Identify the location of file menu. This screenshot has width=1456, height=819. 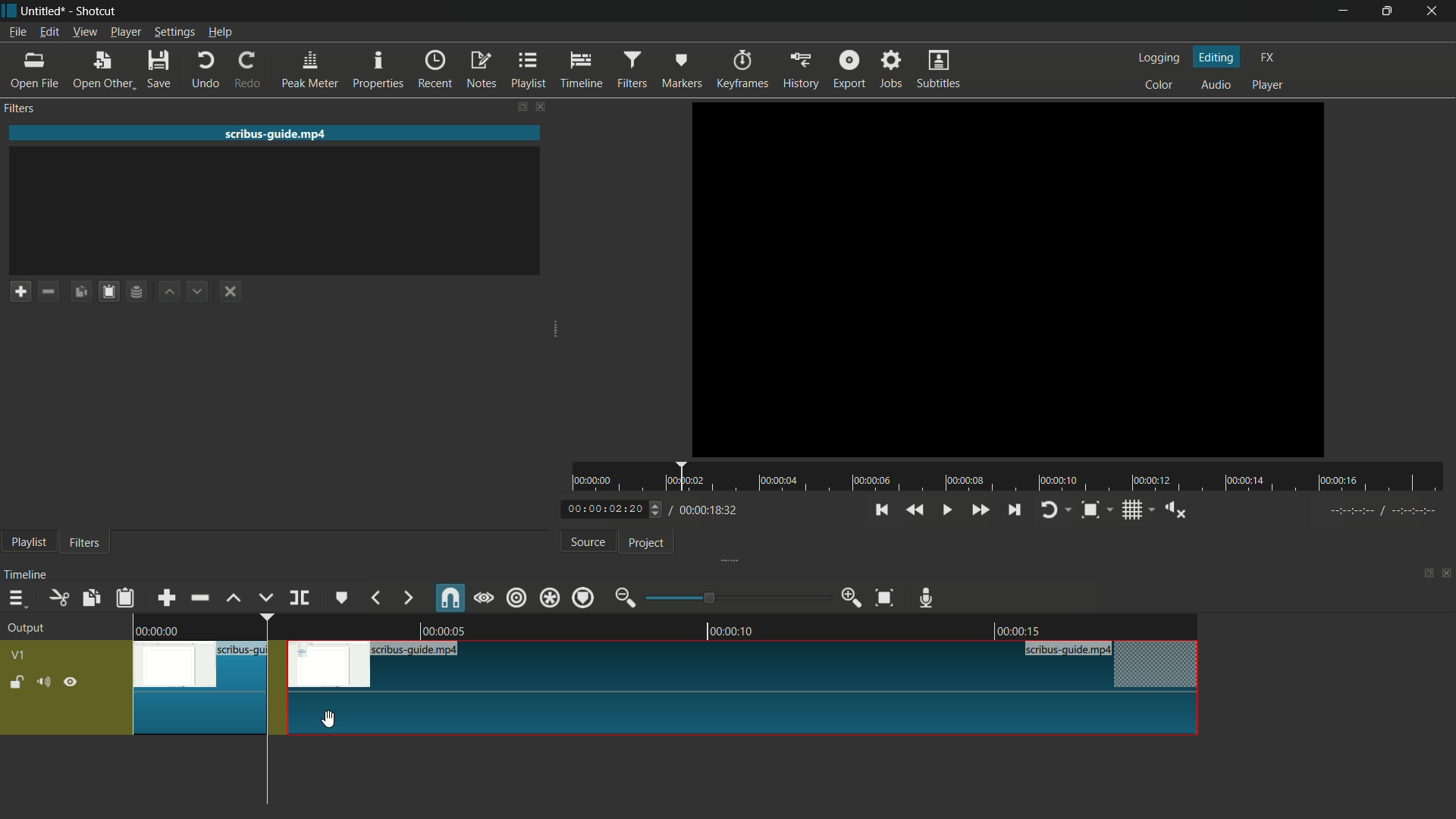
(17, 32).